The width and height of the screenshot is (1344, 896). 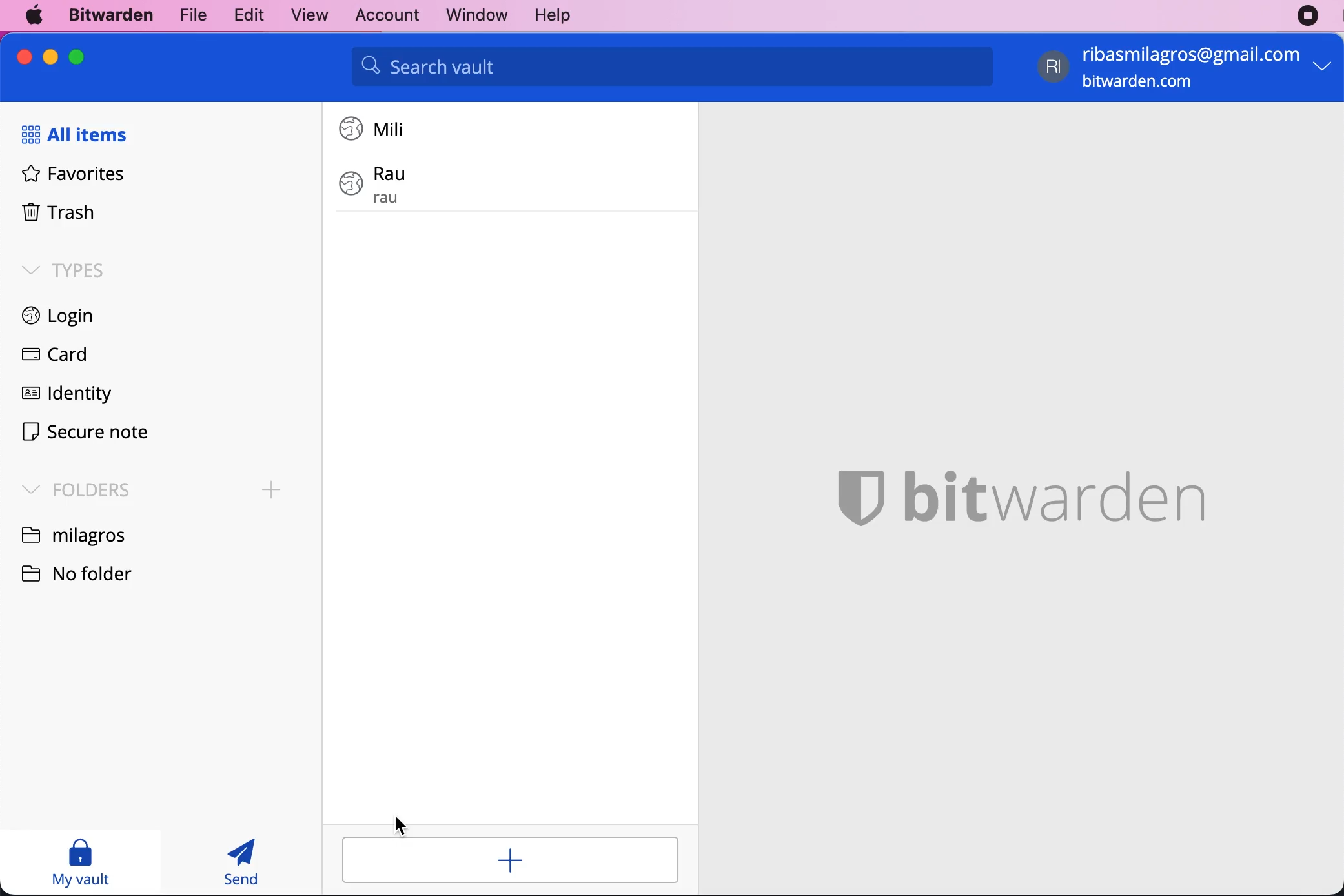 What do you see at coordinates (54, 214) in the screenshot?
I see `trash` at bounding box center [54, 214].